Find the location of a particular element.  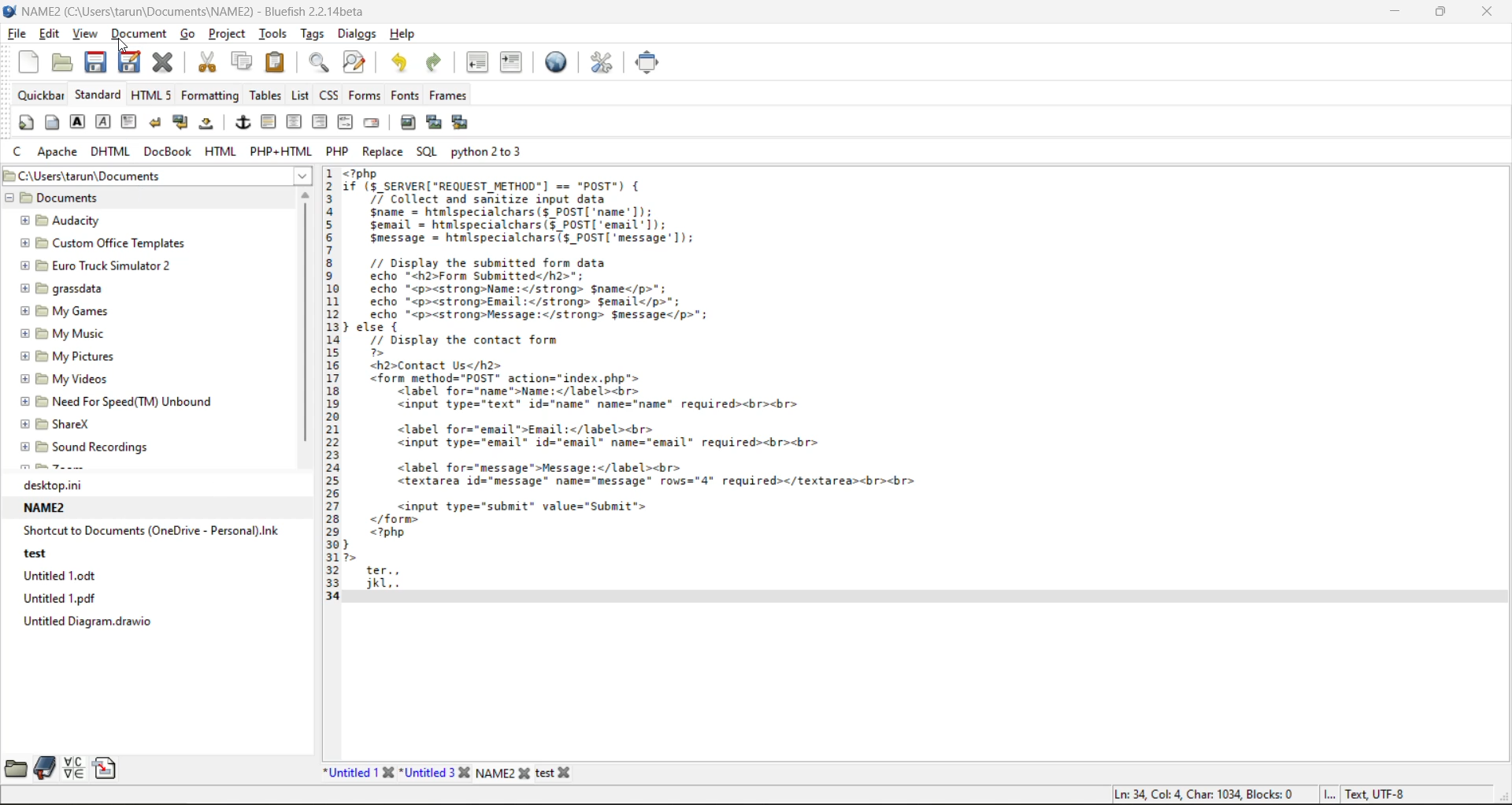

open is located at coordinates (59, 63).